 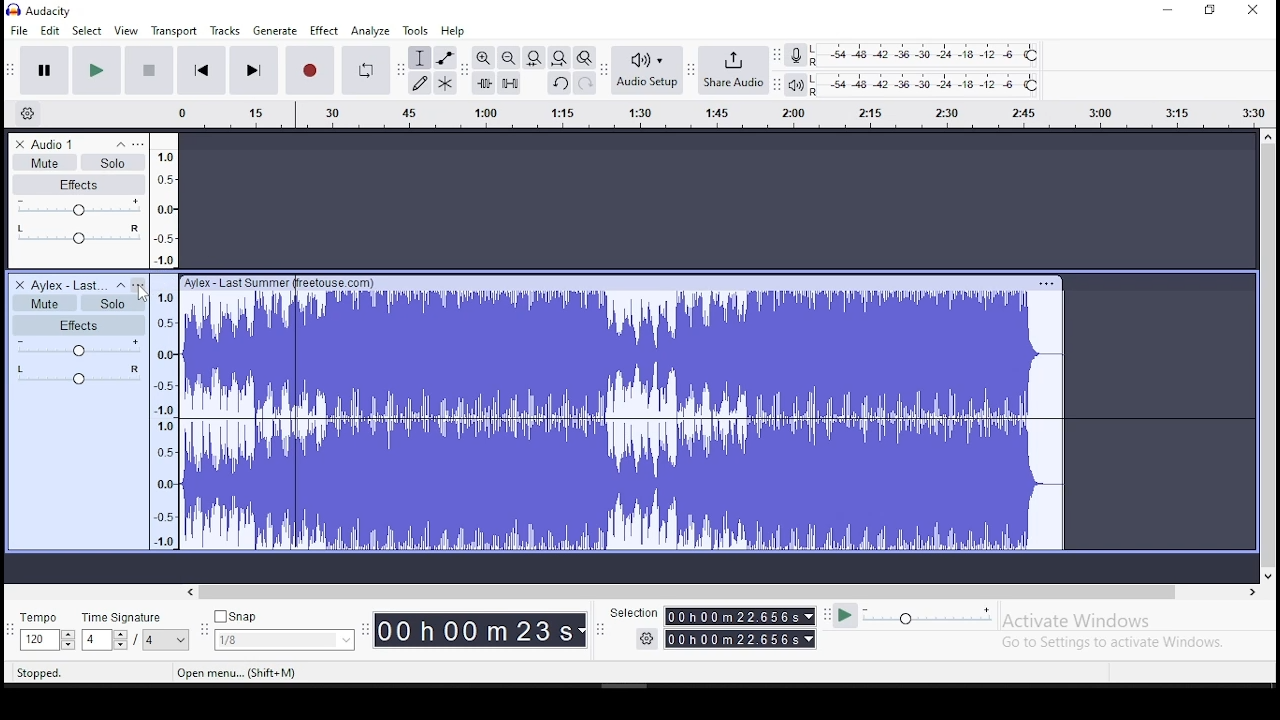 I want to click on selection settings, so click(x=646, y=639).